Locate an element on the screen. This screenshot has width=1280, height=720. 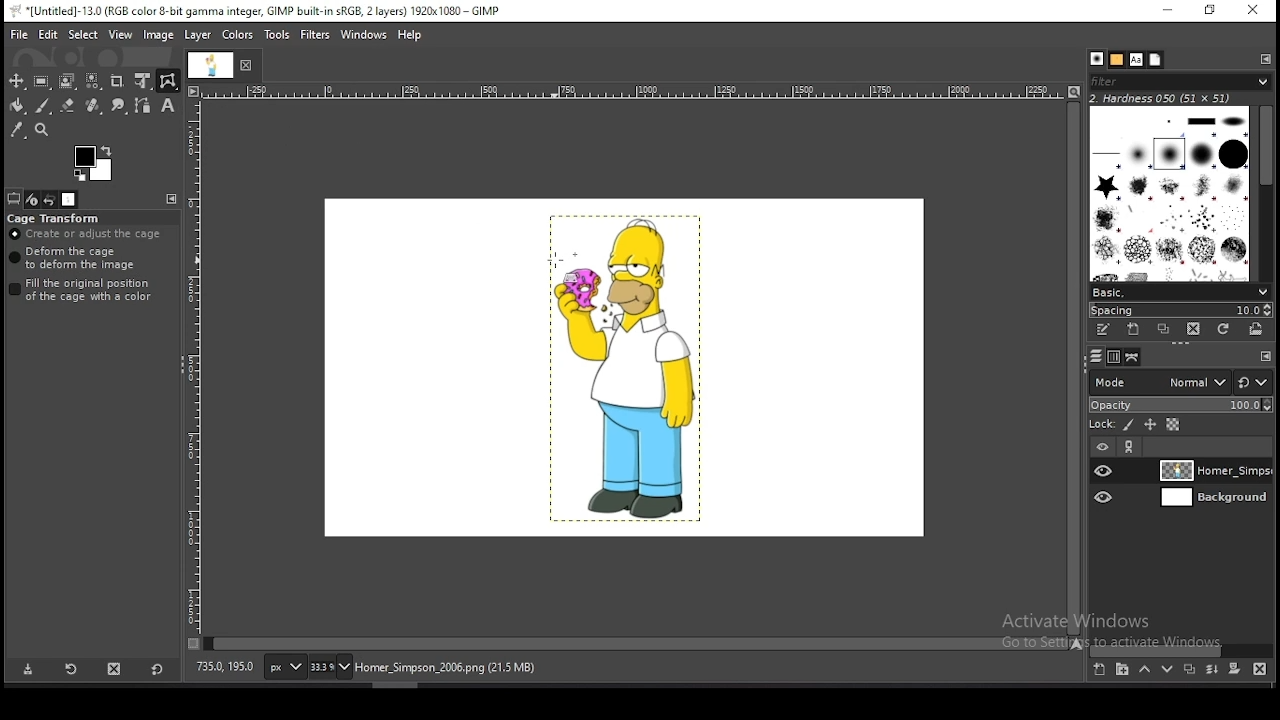
fill the original position of the cage with a color is located at coordinates (86, 290).